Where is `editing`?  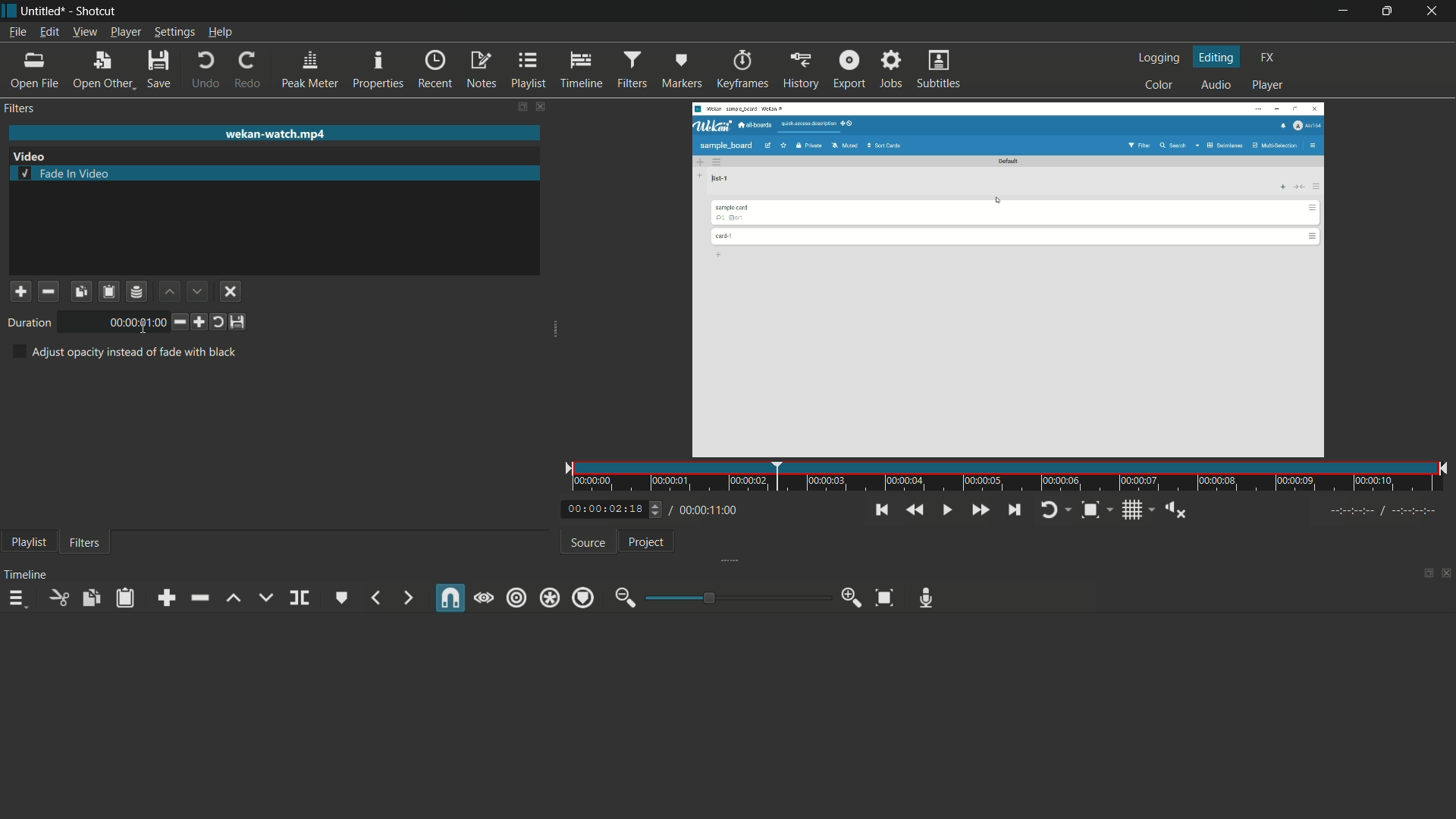 editing is located at coordinates (1219, 58).